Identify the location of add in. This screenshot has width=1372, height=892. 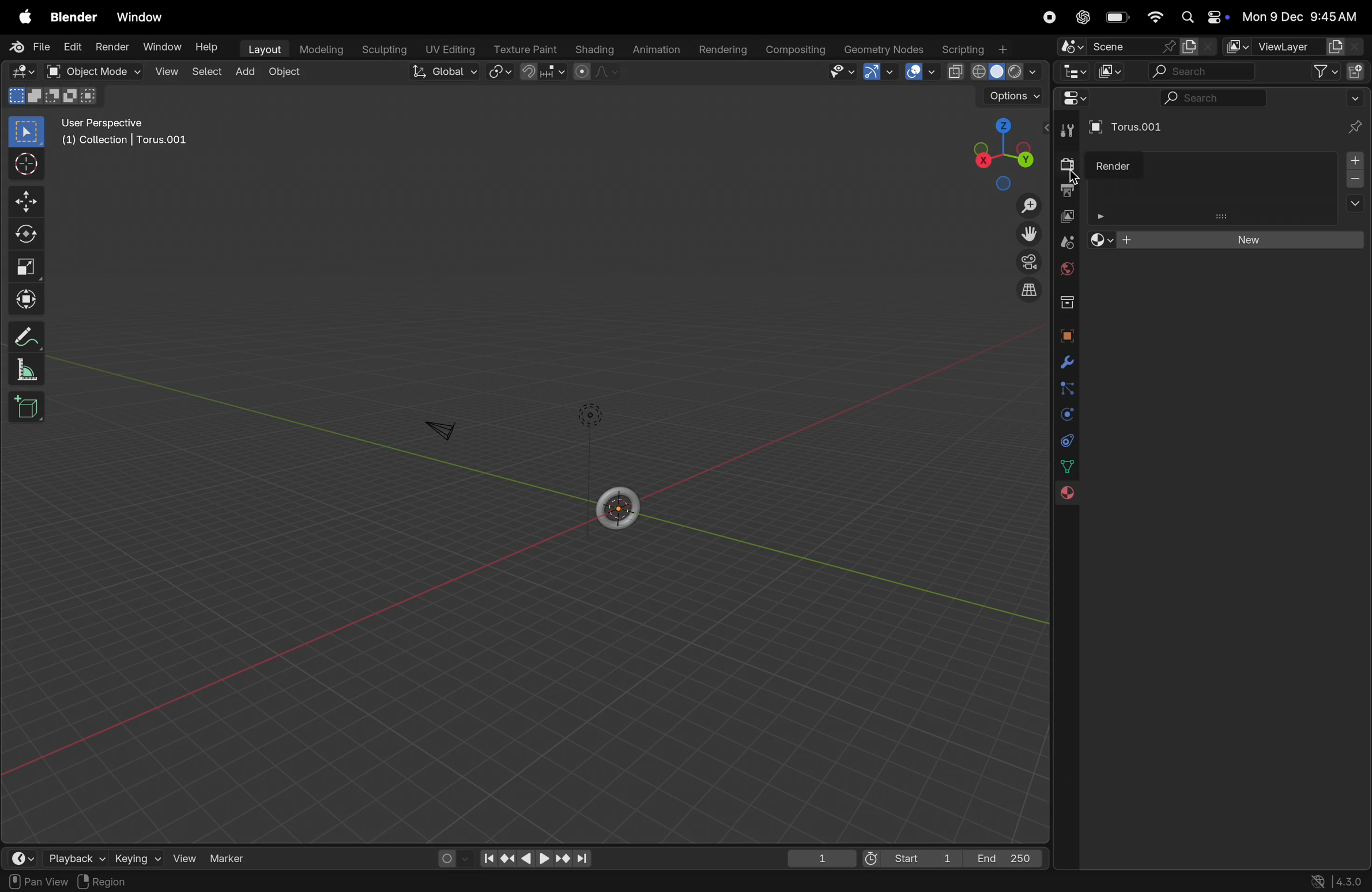
(1356, 179).